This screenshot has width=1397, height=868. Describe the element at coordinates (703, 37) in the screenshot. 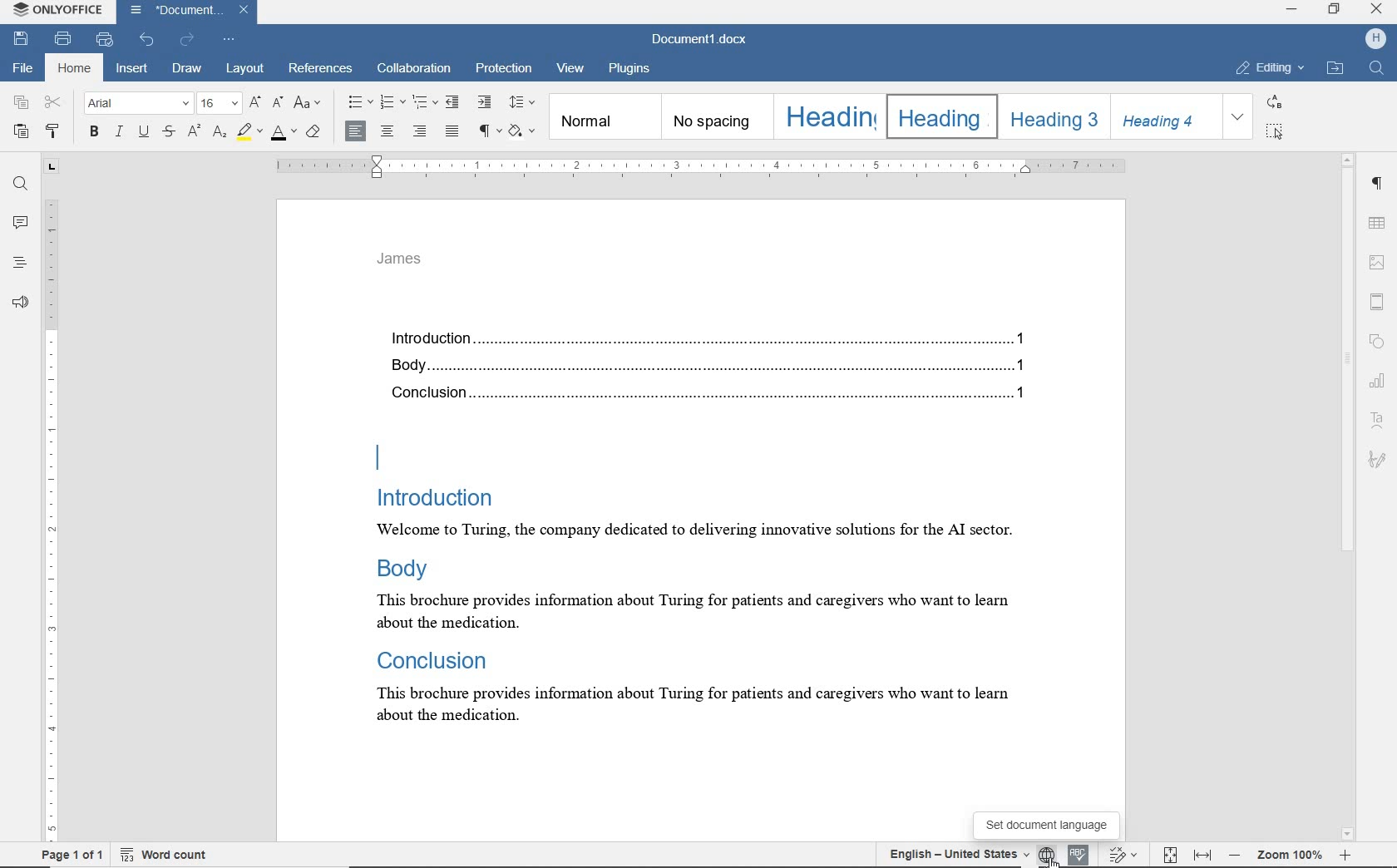

I see `document name` at that location.